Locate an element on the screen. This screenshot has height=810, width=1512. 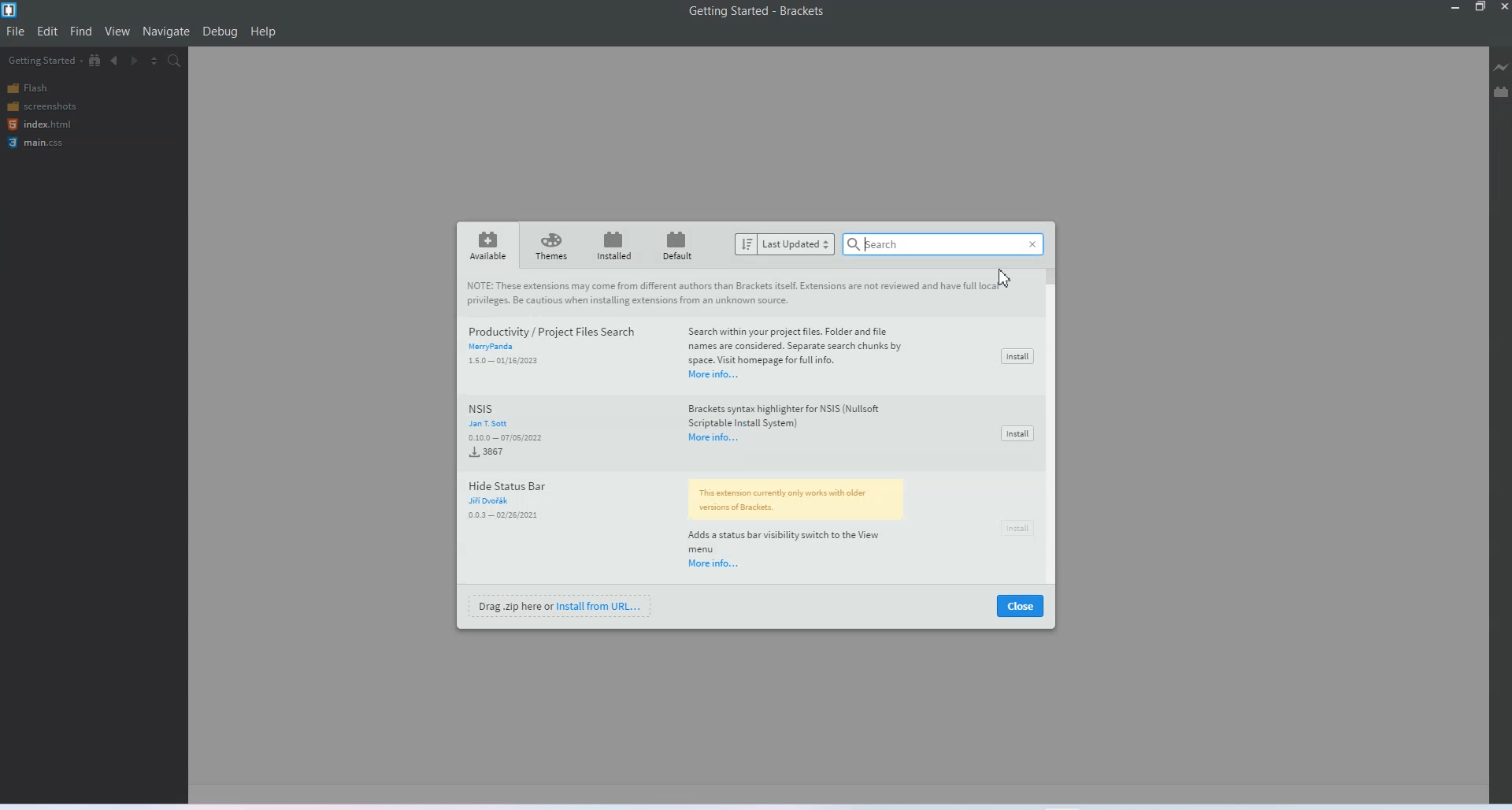
Cursor is located at coordinates (1006, 280).